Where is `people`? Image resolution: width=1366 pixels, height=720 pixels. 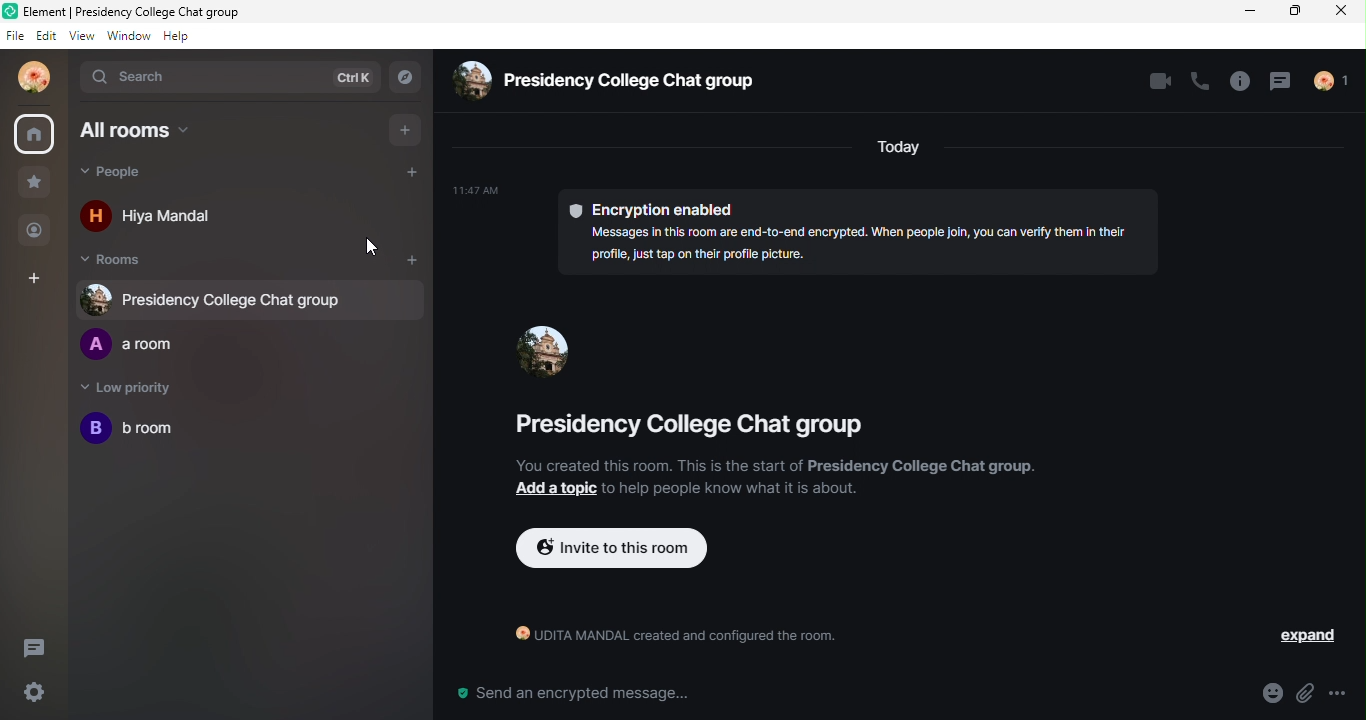 people is located at coordinates (1340, 83).